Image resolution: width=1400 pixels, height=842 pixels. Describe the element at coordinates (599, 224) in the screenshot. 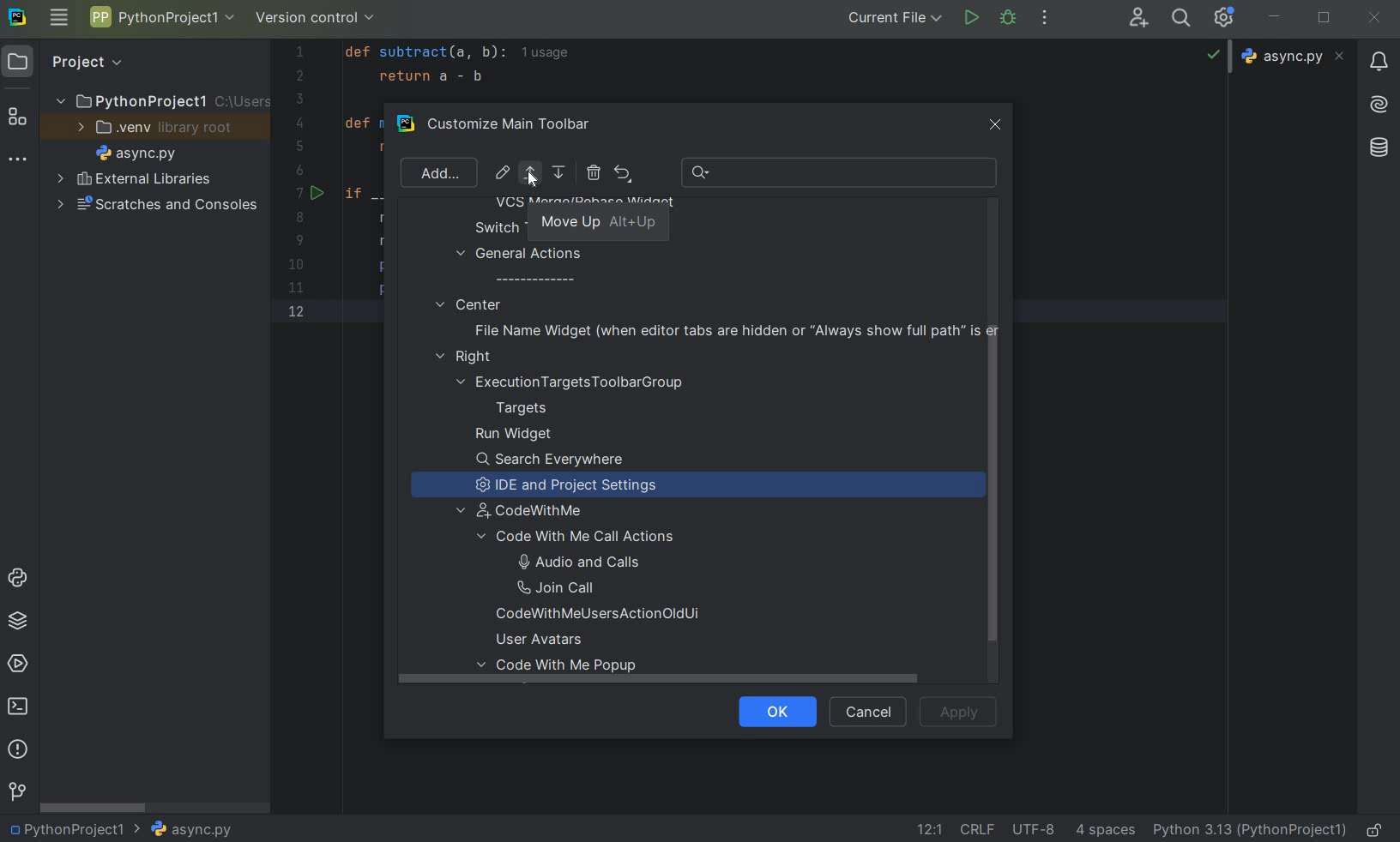

I see `move up` at that location.